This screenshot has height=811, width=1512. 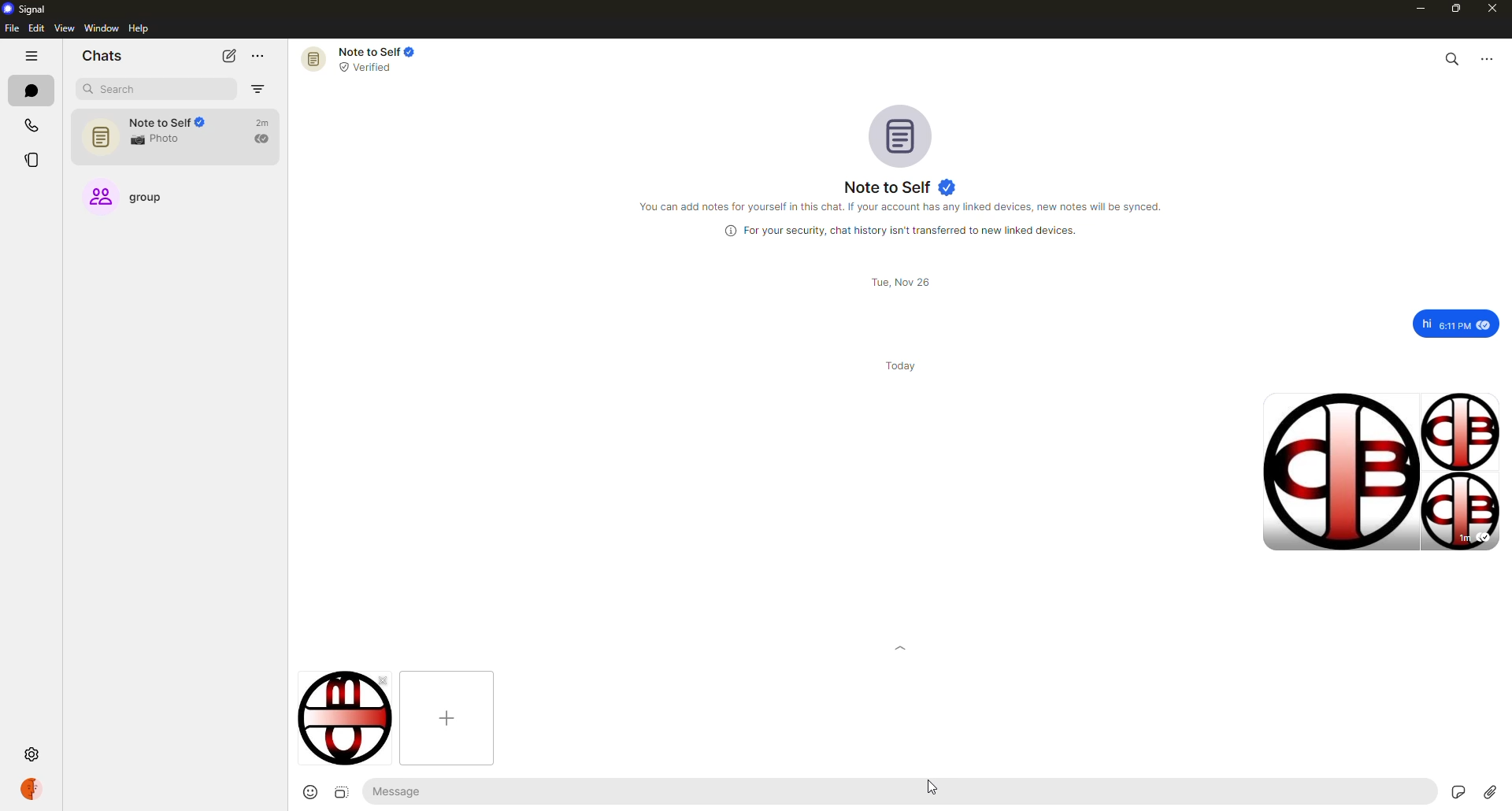 I want to click on stickers, so click(x=1455, y=791).